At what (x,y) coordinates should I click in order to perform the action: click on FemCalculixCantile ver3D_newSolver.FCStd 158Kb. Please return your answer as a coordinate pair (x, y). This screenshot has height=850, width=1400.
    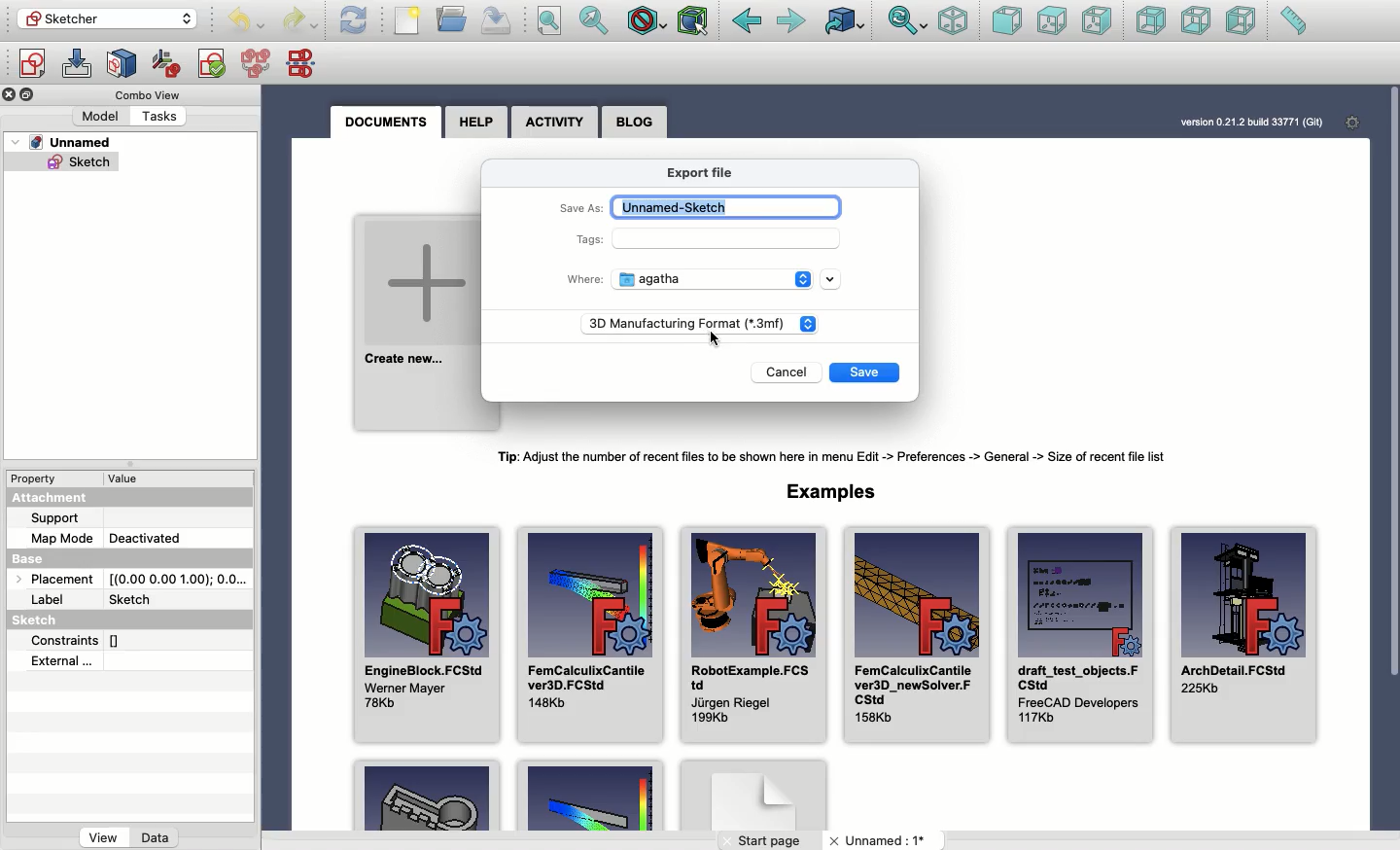
    Looking at the image, I should click on (916, 633).